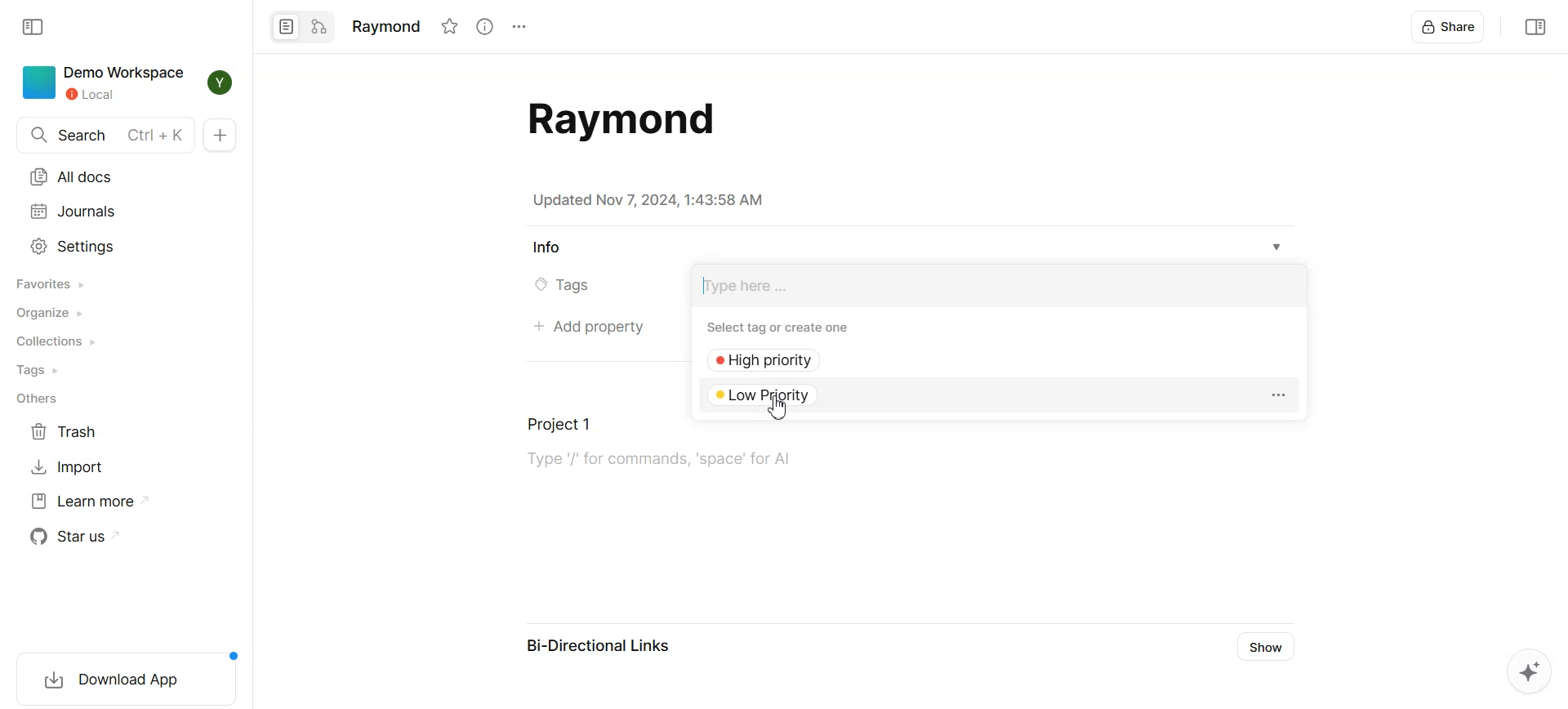 The image size is (1568, 709). What do you see at coordinates (222, 82) in the screenshot?
I see `Profile` at bounding box center [222, 82].